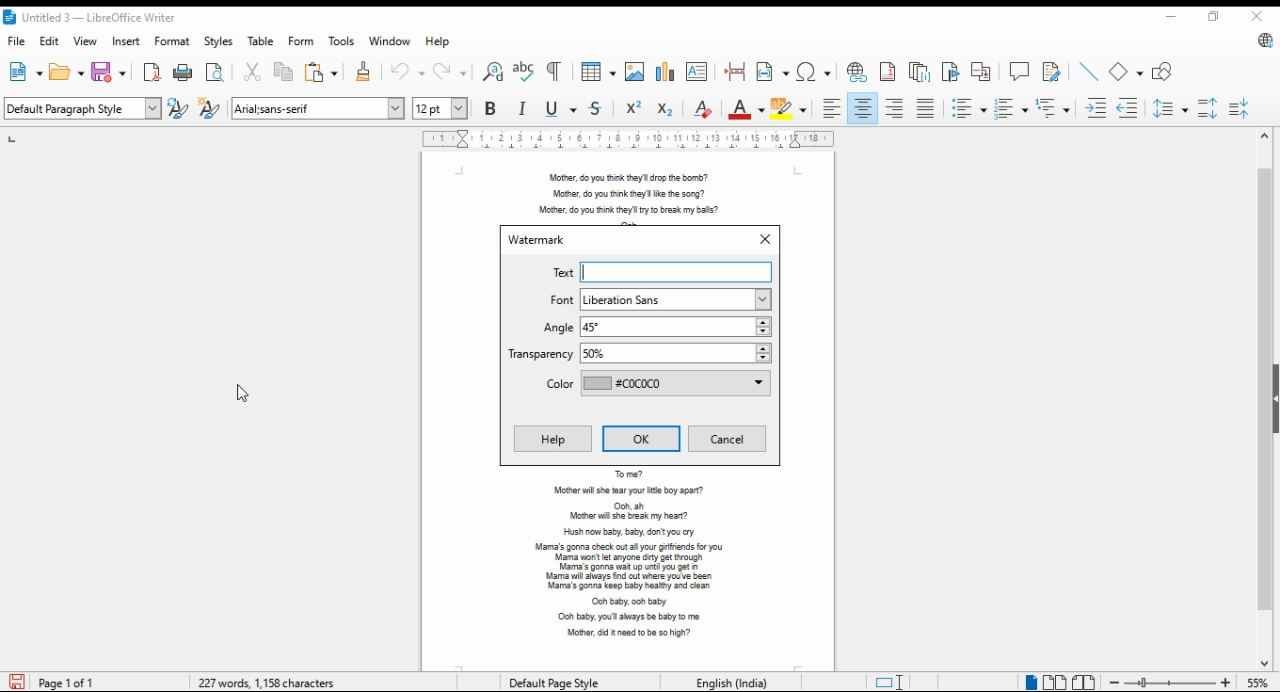 This screenshot has height=692, width=1280. I want to click on view, so click(88, 42).